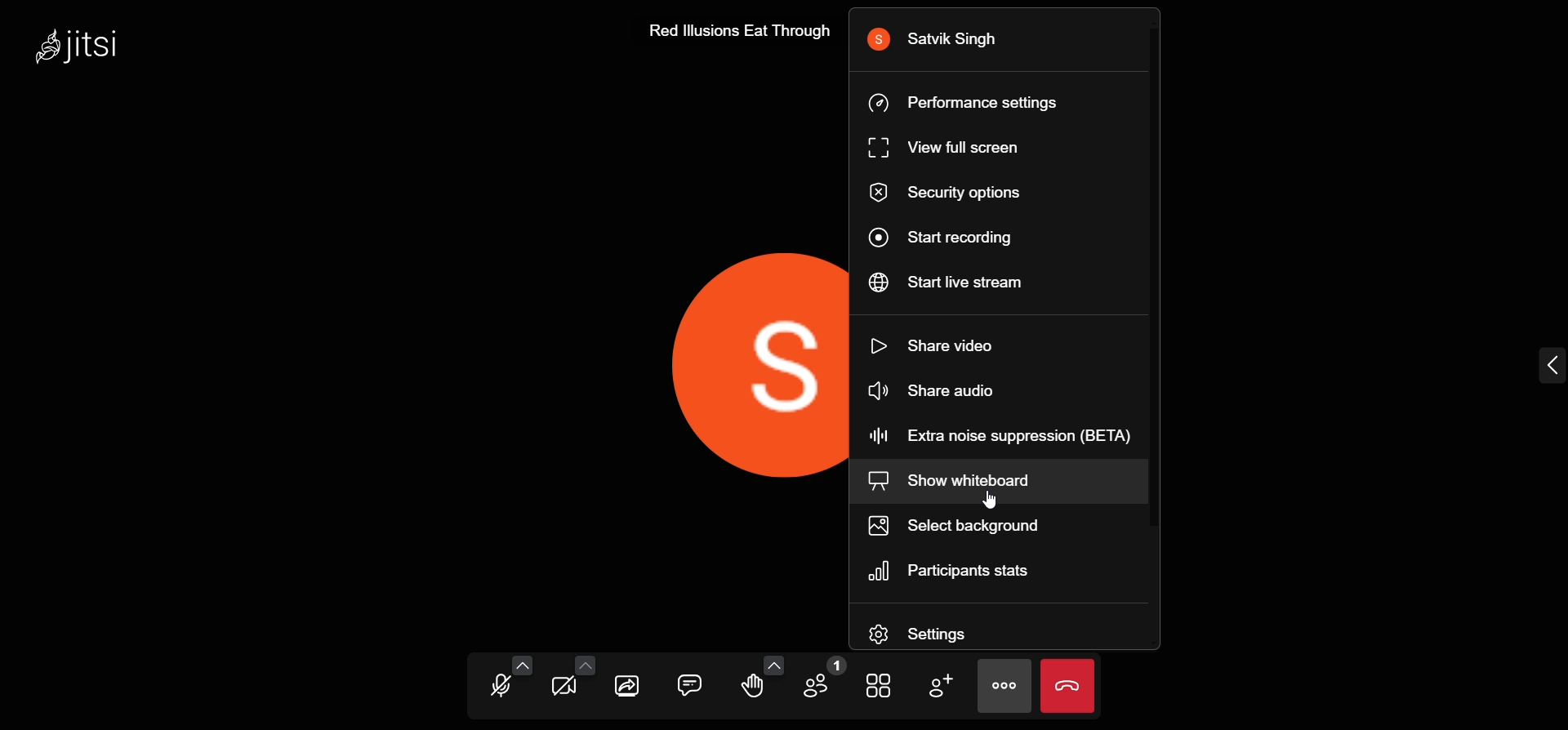 The width and height of the screenshot is (1568, 730). I want to click on invite people, so click(938, 686).